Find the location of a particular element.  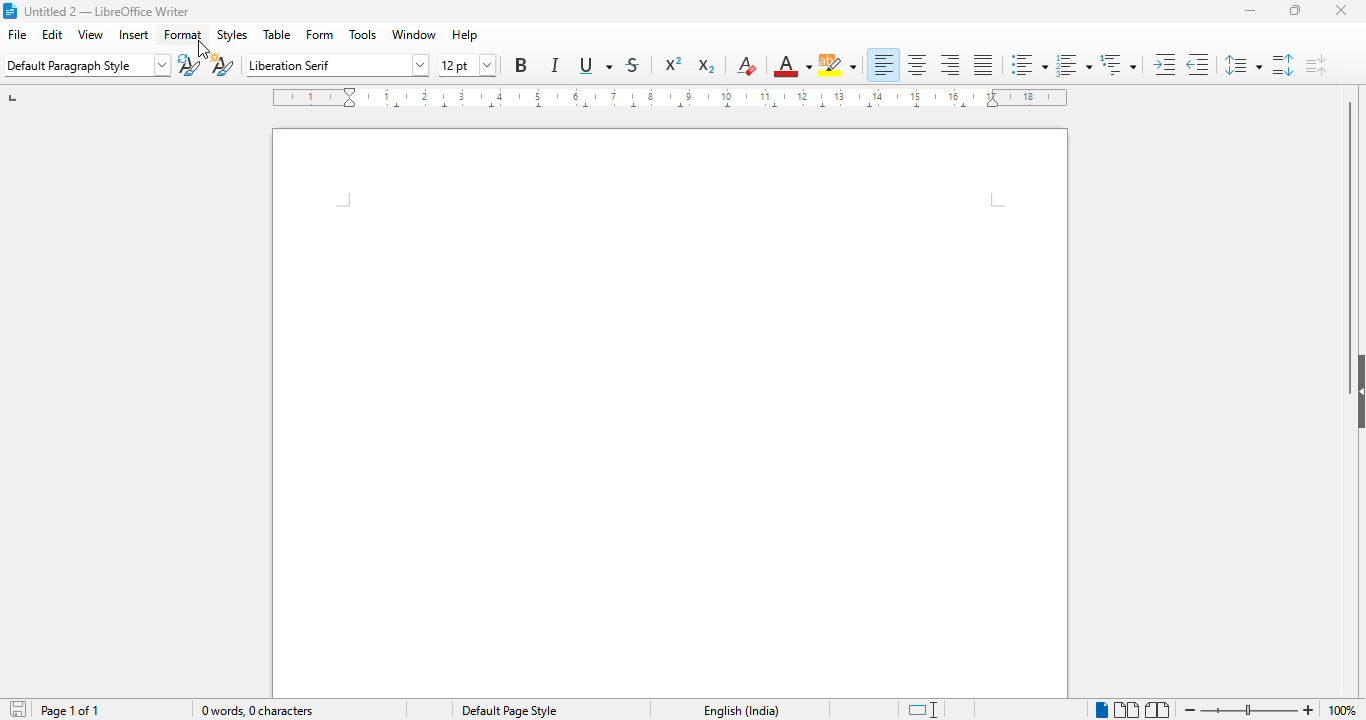

update paragraph style is located at coordinates (188, 66).